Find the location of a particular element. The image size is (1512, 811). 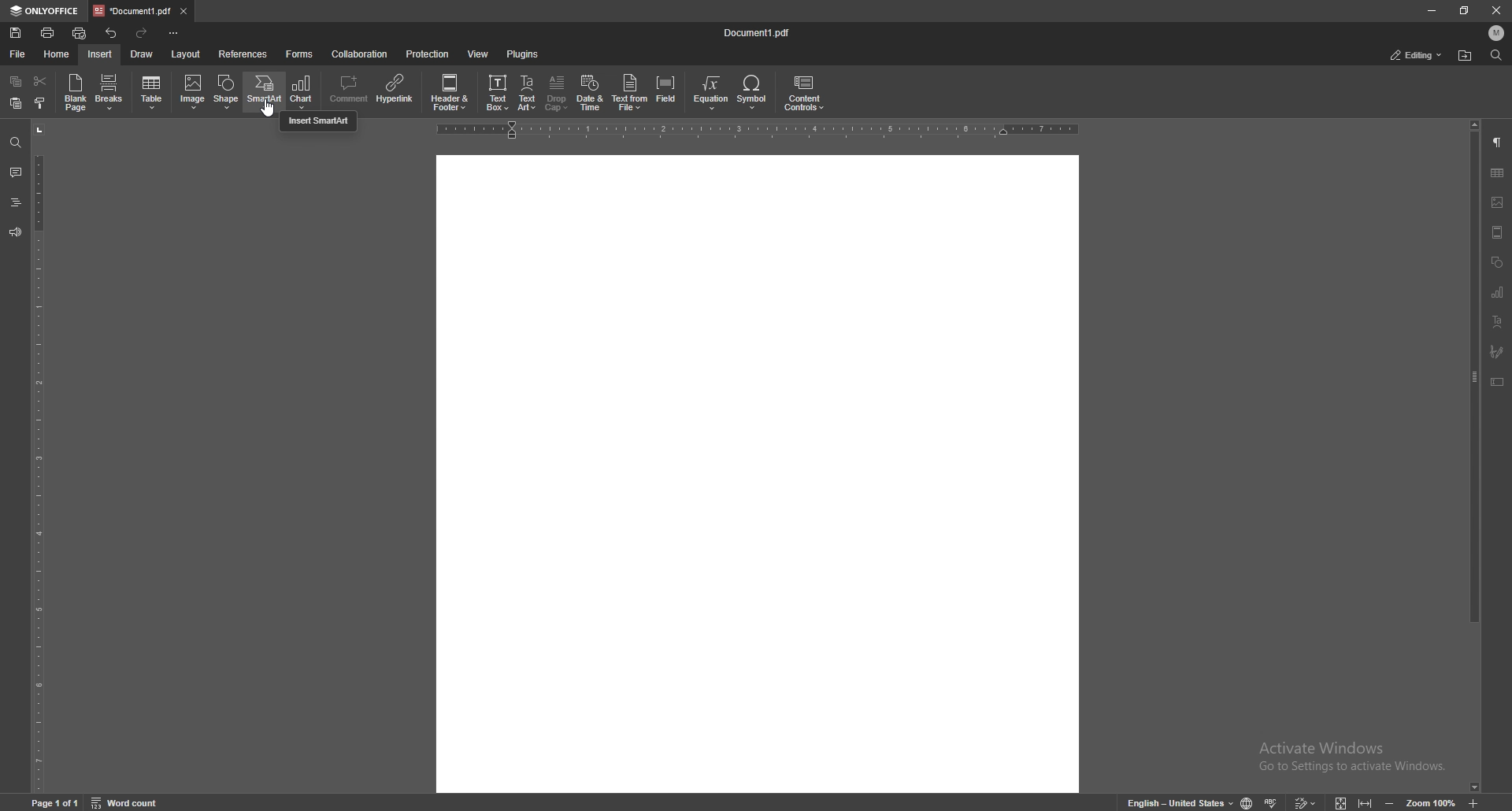

save is located at coordinates (16, 33).